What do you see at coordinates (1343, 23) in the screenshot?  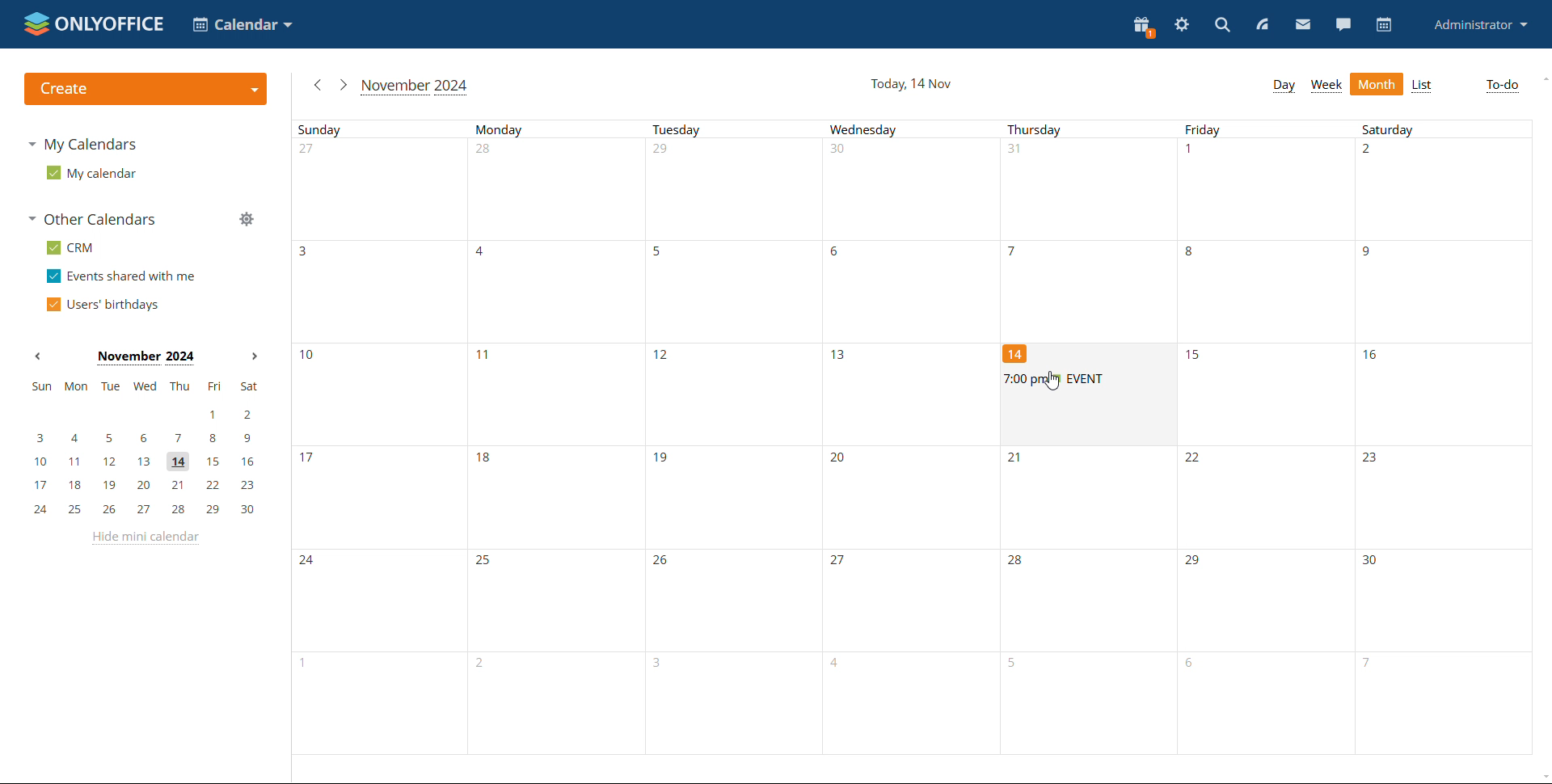 I see `chat` at bounding box center [1343, 23].